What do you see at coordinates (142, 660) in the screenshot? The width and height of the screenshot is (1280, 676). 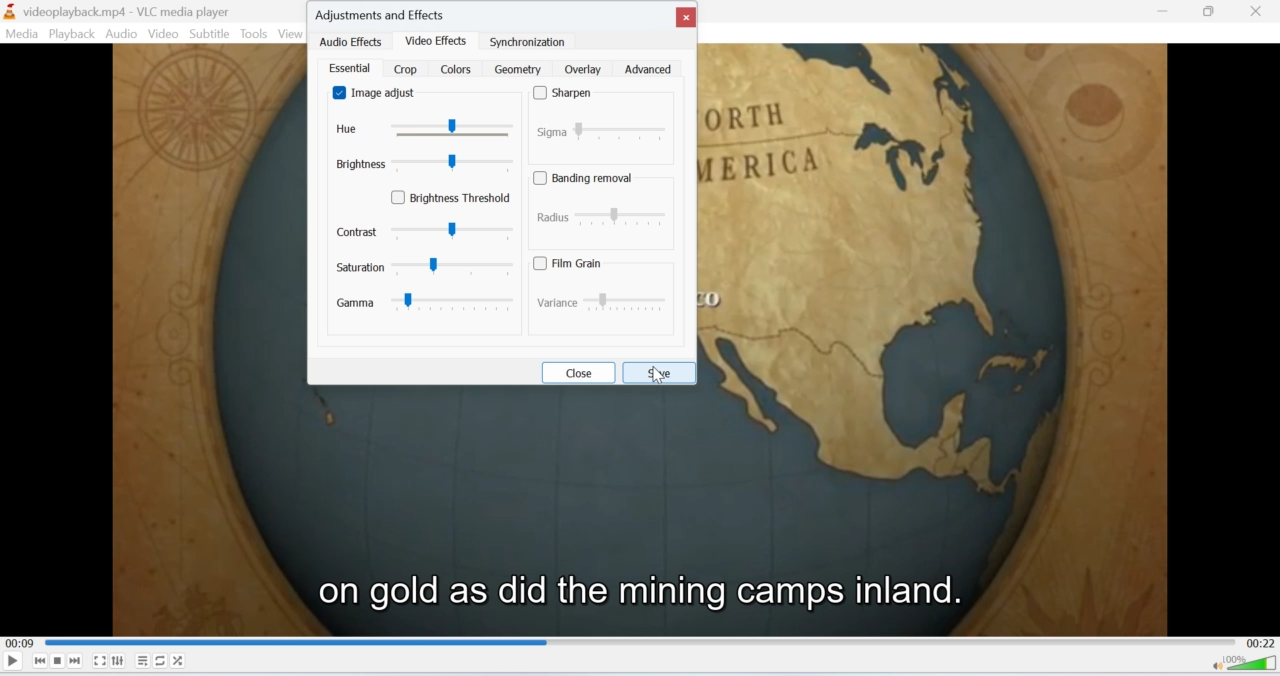 I see `Playlist` at bounding box center [142, 660].